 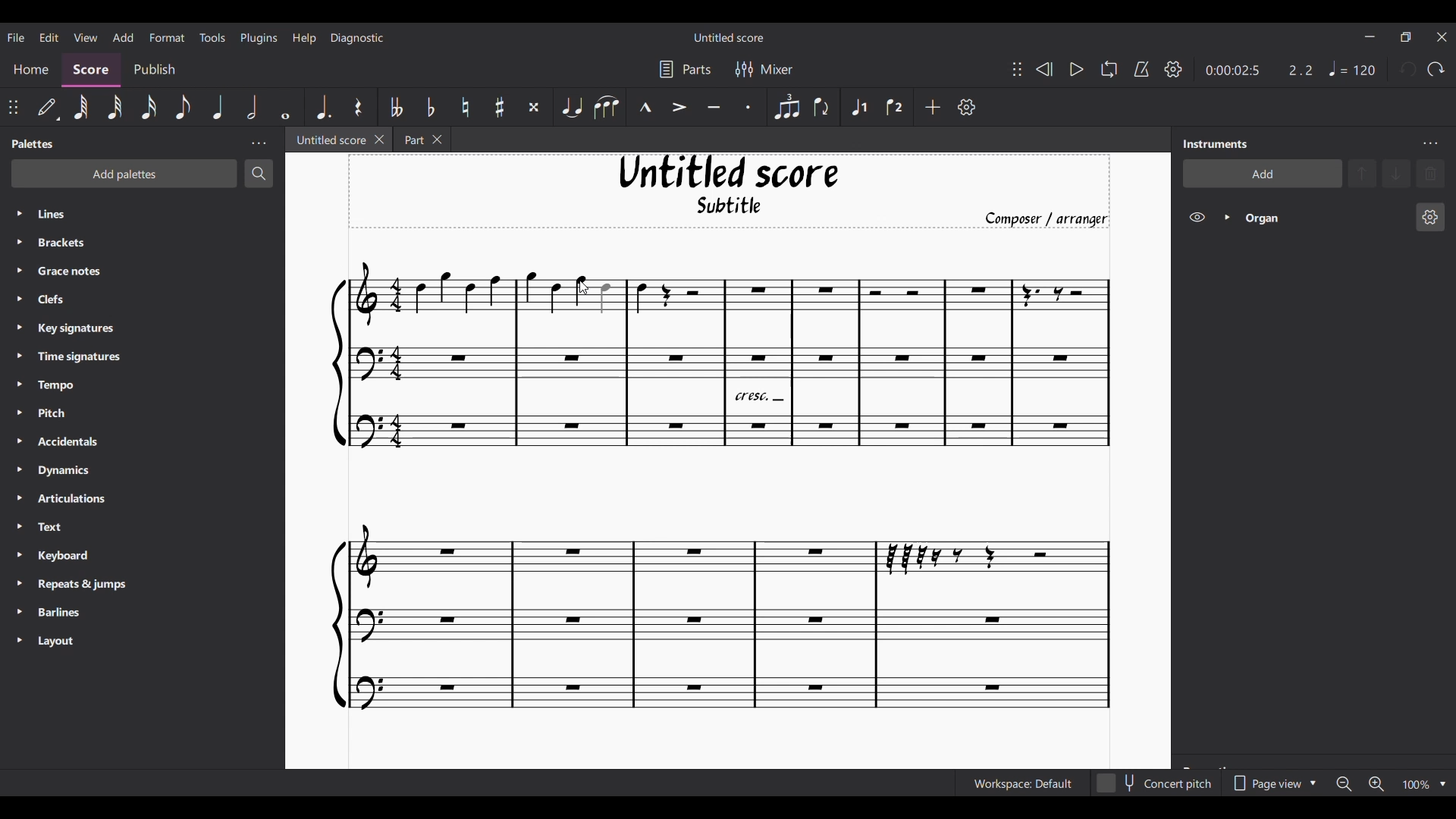 I want to click on 32nd note, so click(x=115, y=107).